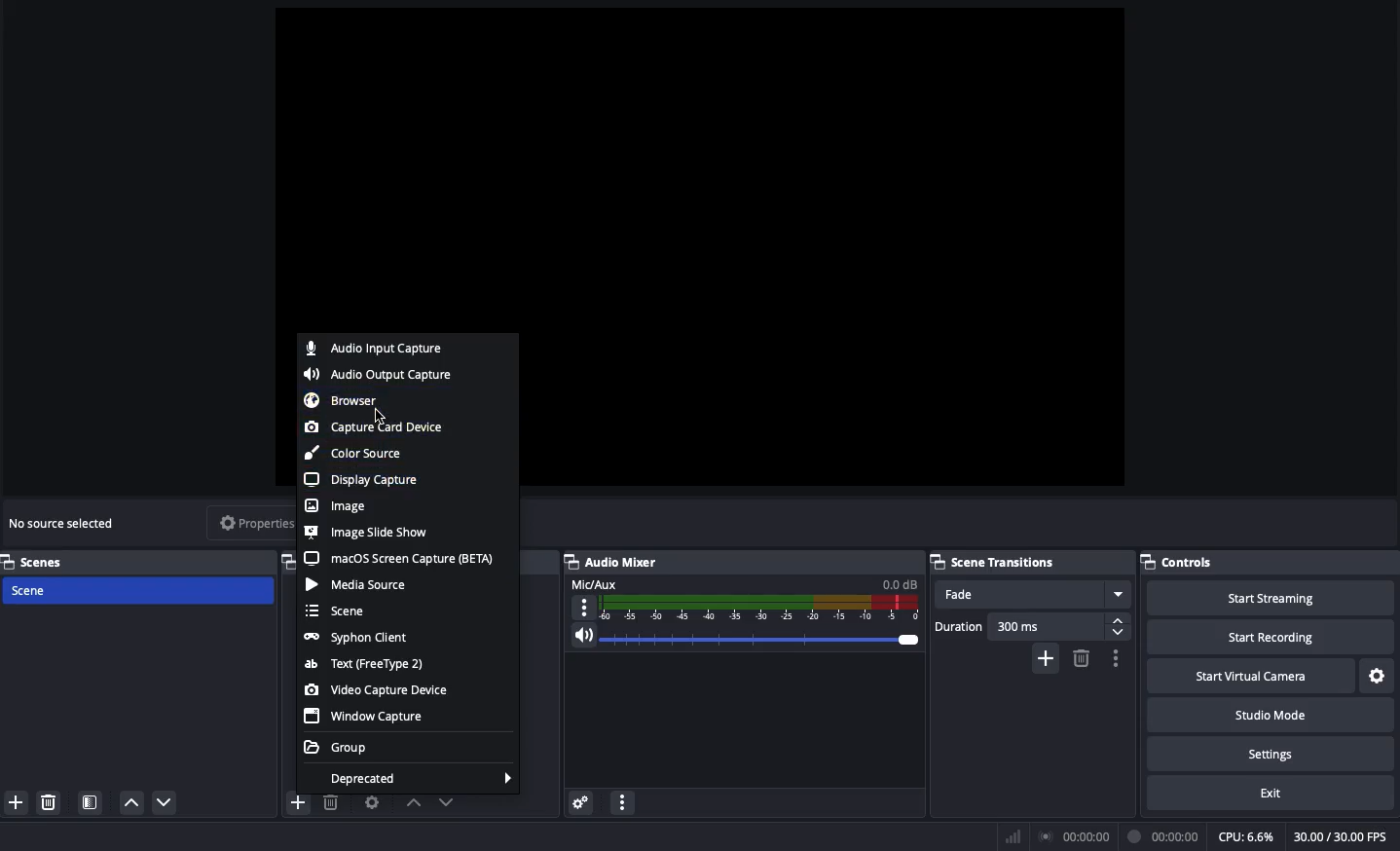 This screenshot has height=851, width=1400. What do you see at coordinates (384, 689) in the screenshot?
I see `Video capture device` at bounding box center [384, 689].